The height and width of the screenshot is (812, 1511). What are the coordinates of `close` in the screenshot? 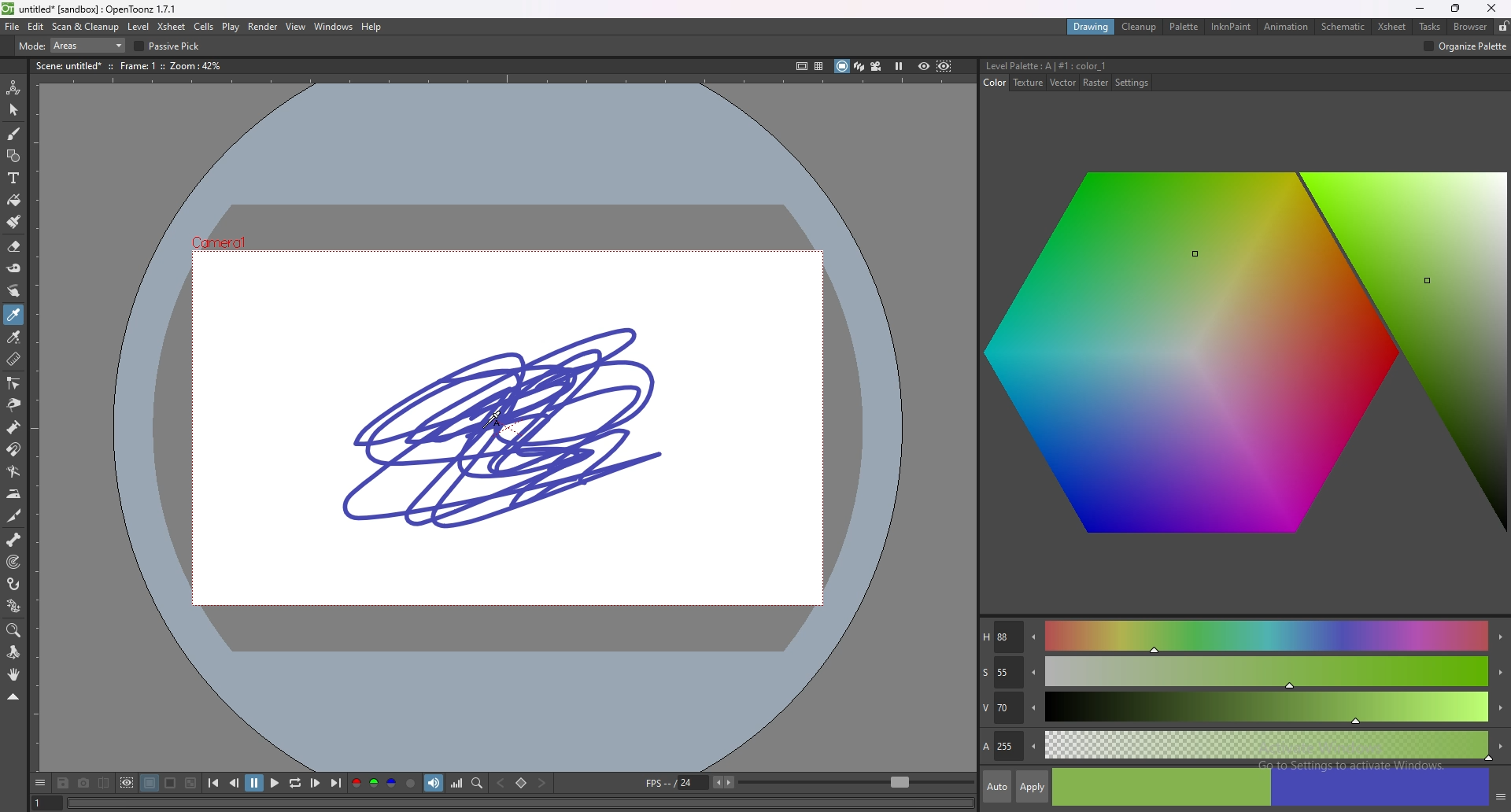 It's located at (1491, 9).